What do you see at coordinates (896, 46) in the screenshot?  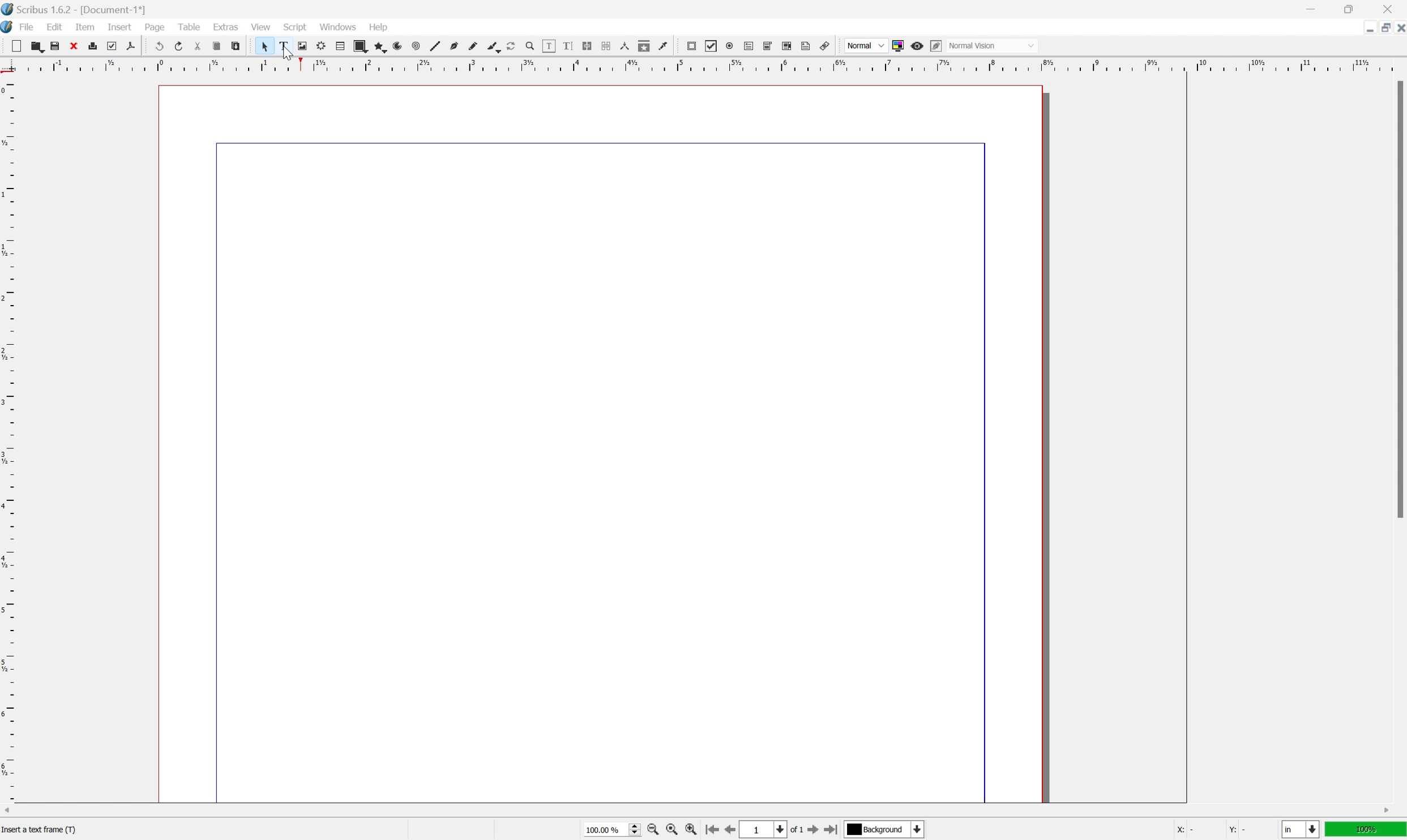 I see `toggle color management system` at bounding box center [896, 46].